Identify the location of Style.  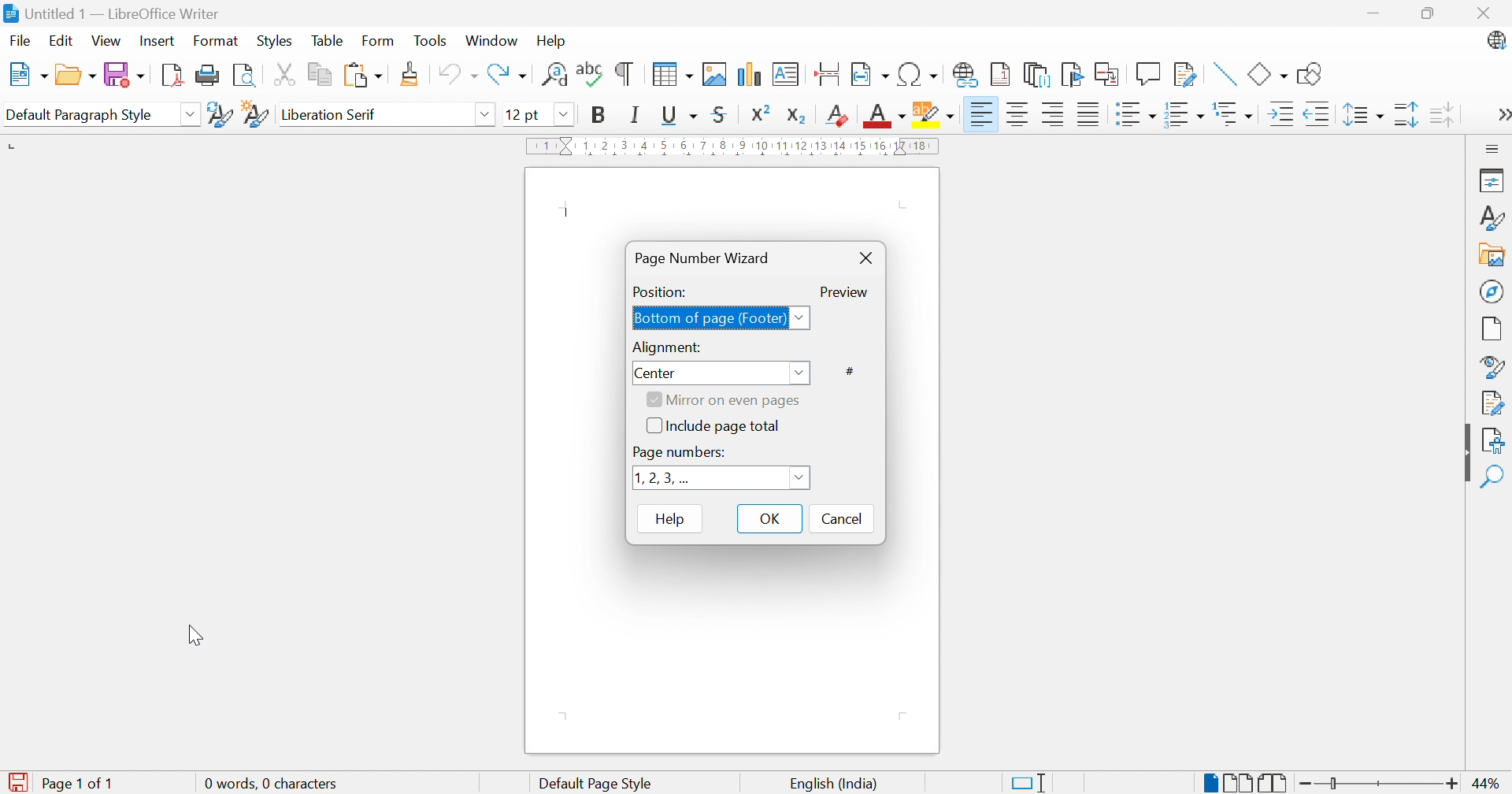
(1491, 366).